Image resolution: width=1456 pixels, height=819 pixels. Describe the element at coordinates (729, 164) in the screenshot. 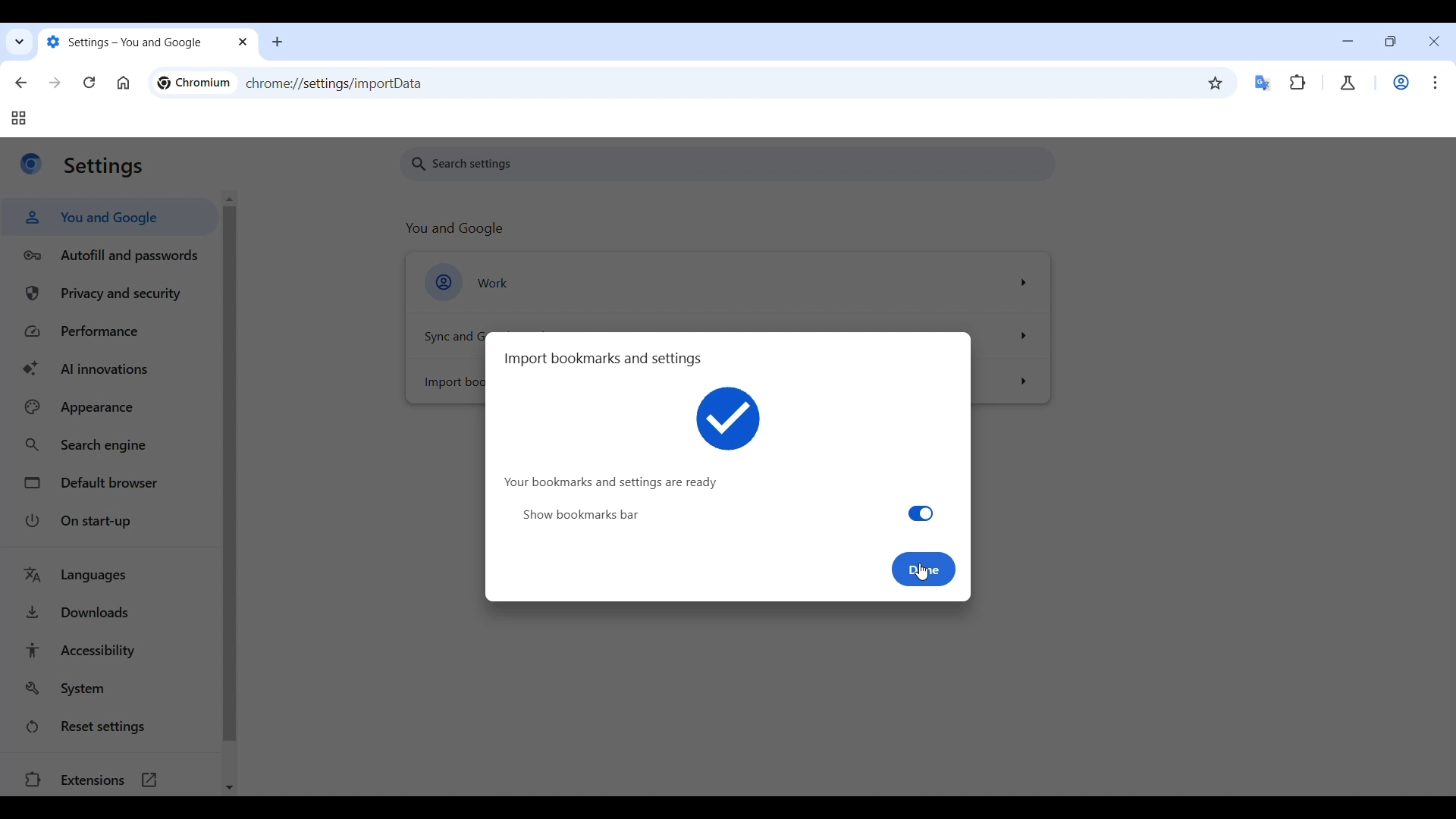

I see `Search settings` at that location.